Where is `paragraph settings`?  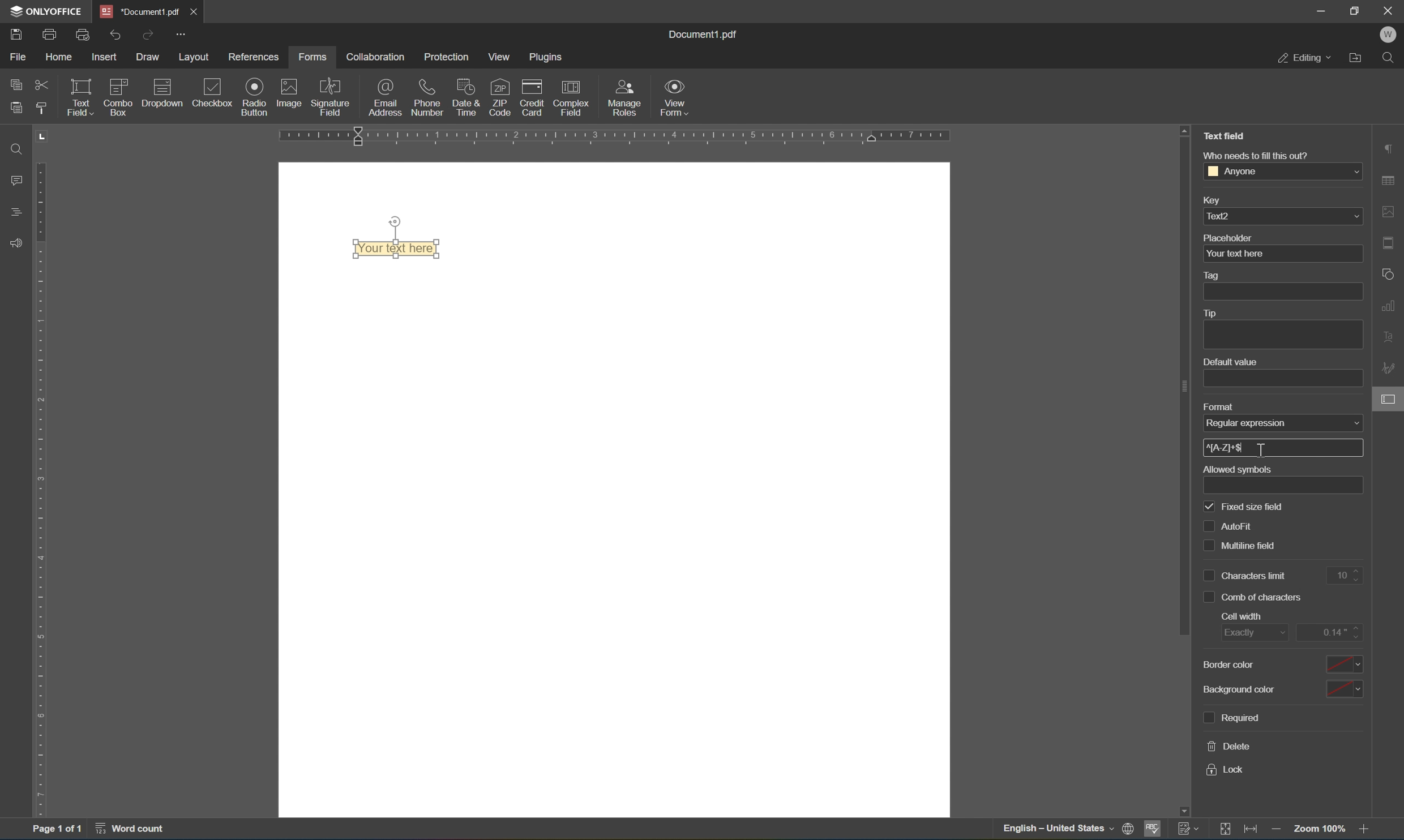 paragraph settings is located at coordinates (1389, 146).